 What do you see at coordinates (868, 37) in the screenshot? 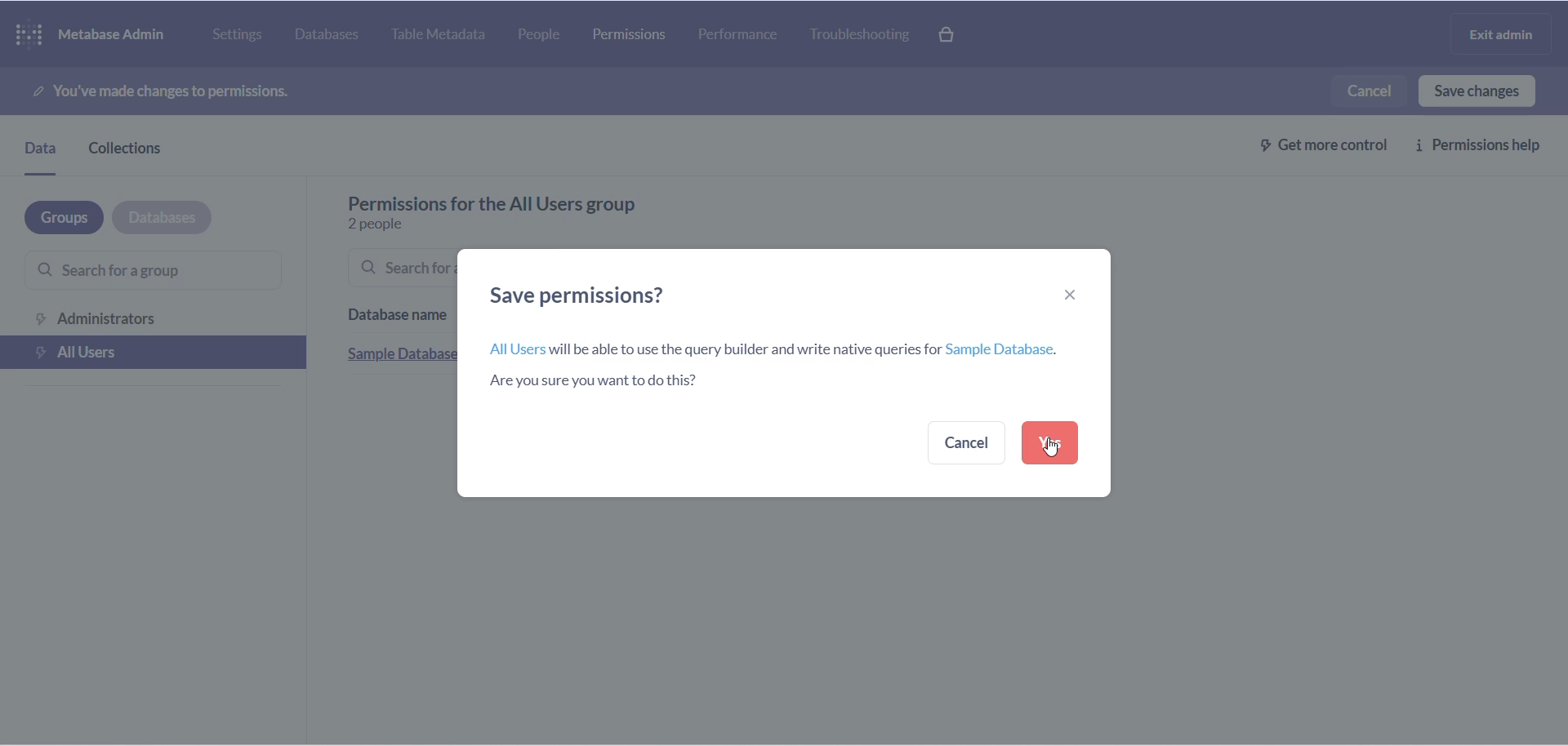
I see `troubleshooting` at bounding box center [868, 37].